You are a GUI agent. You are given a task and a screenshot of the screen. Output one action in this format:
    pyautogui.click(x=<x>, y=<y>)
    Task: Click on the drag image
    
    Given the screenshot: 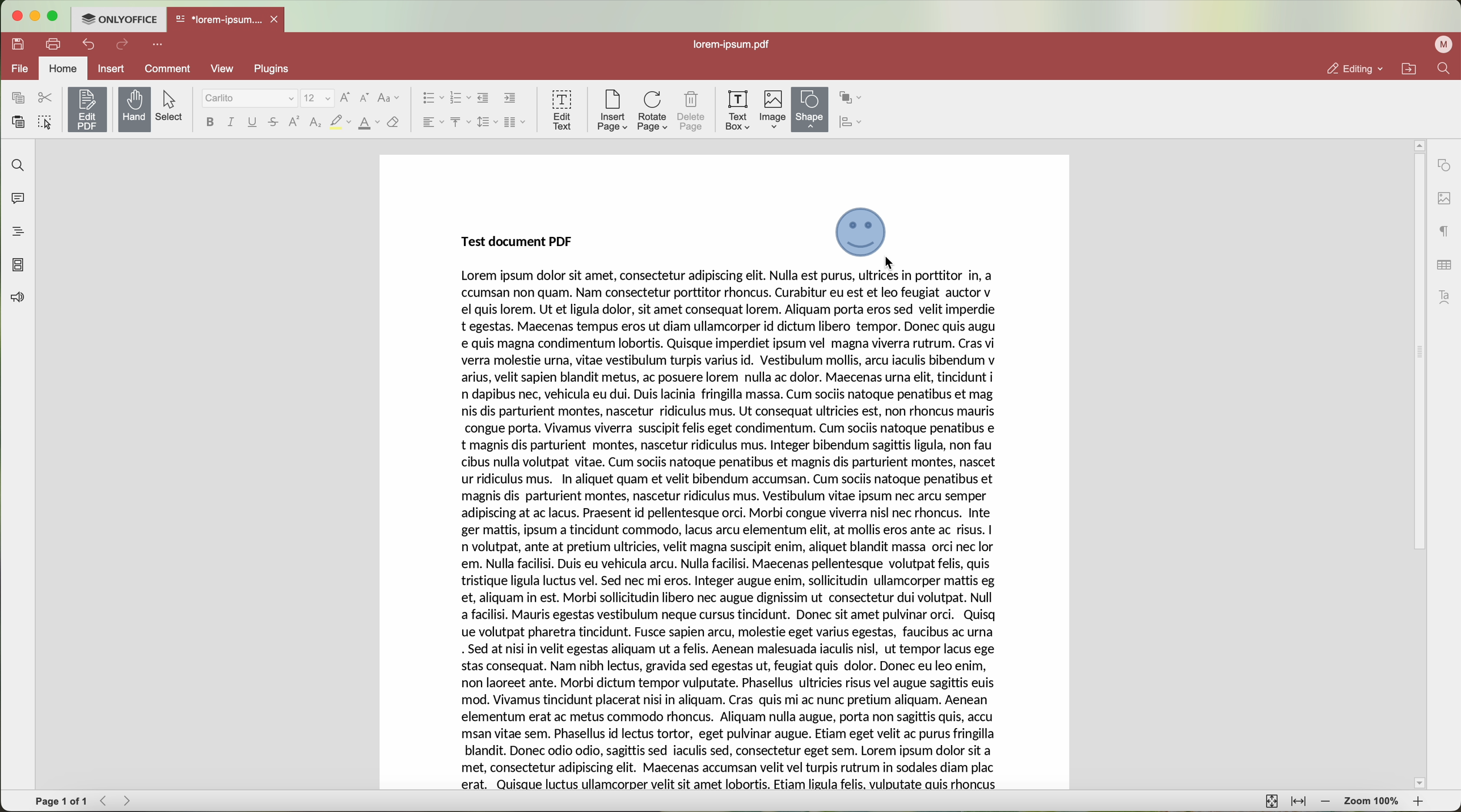 What is the action you would take?
    pyautogui.click(x=865, y=234)
    